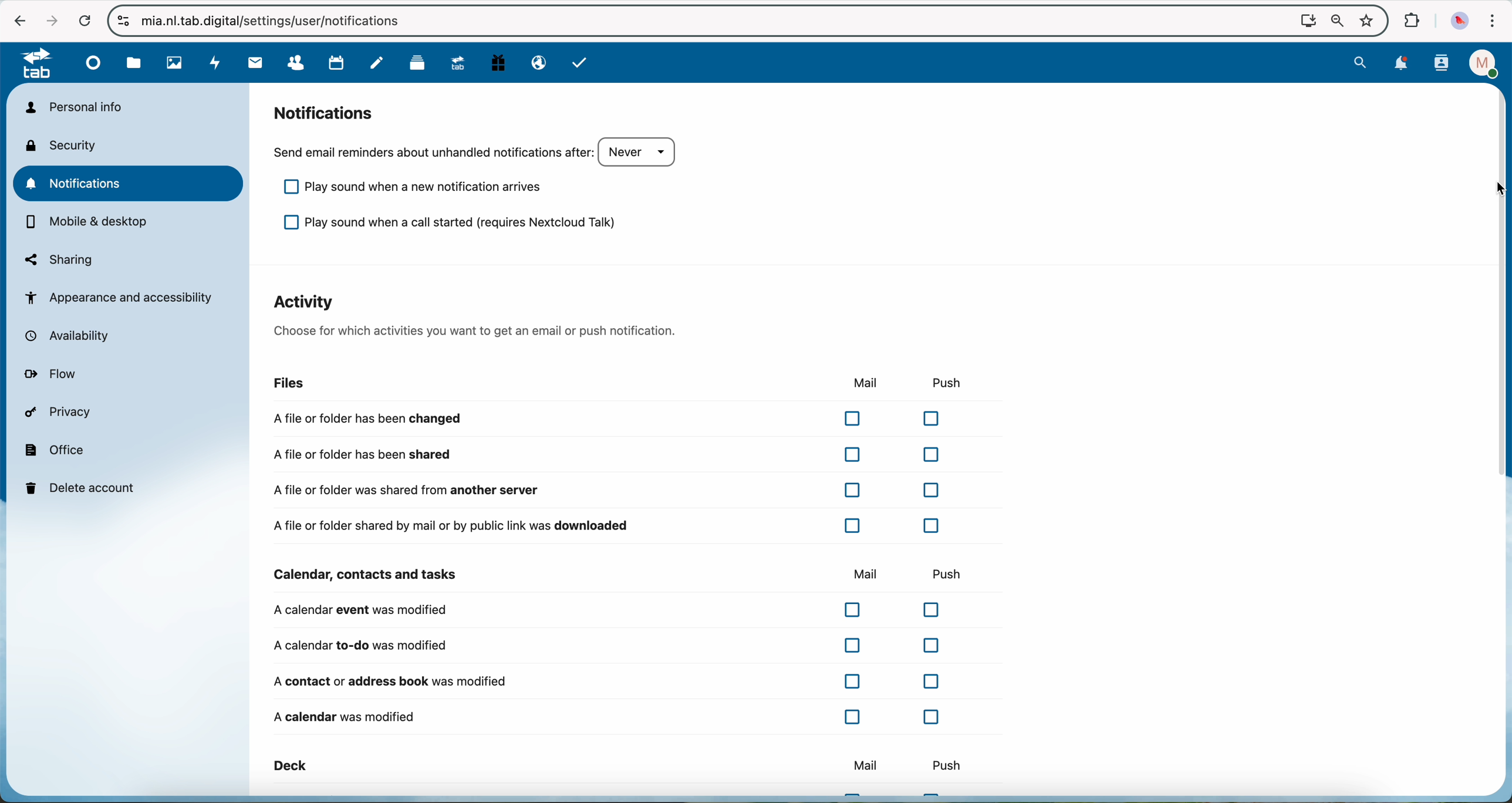 The width and height of the screenshot is (1512, 803). What do you see at coordinates (369, 575) in the screenshot?
I see `calendar, contacts and tasks` at bounding box center [369, 575].